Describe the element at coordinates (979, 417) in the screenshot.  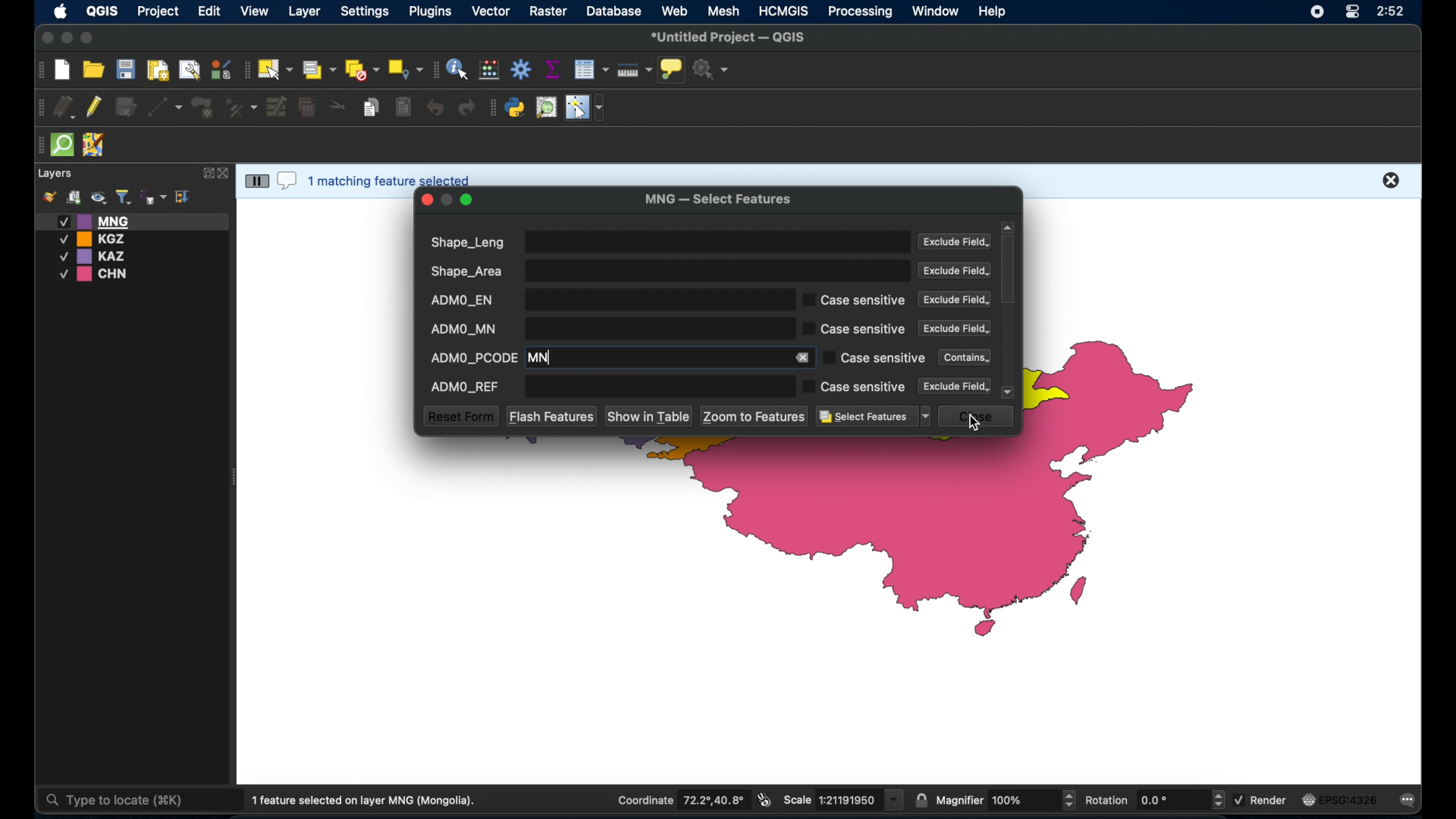
I see `close` at that location.